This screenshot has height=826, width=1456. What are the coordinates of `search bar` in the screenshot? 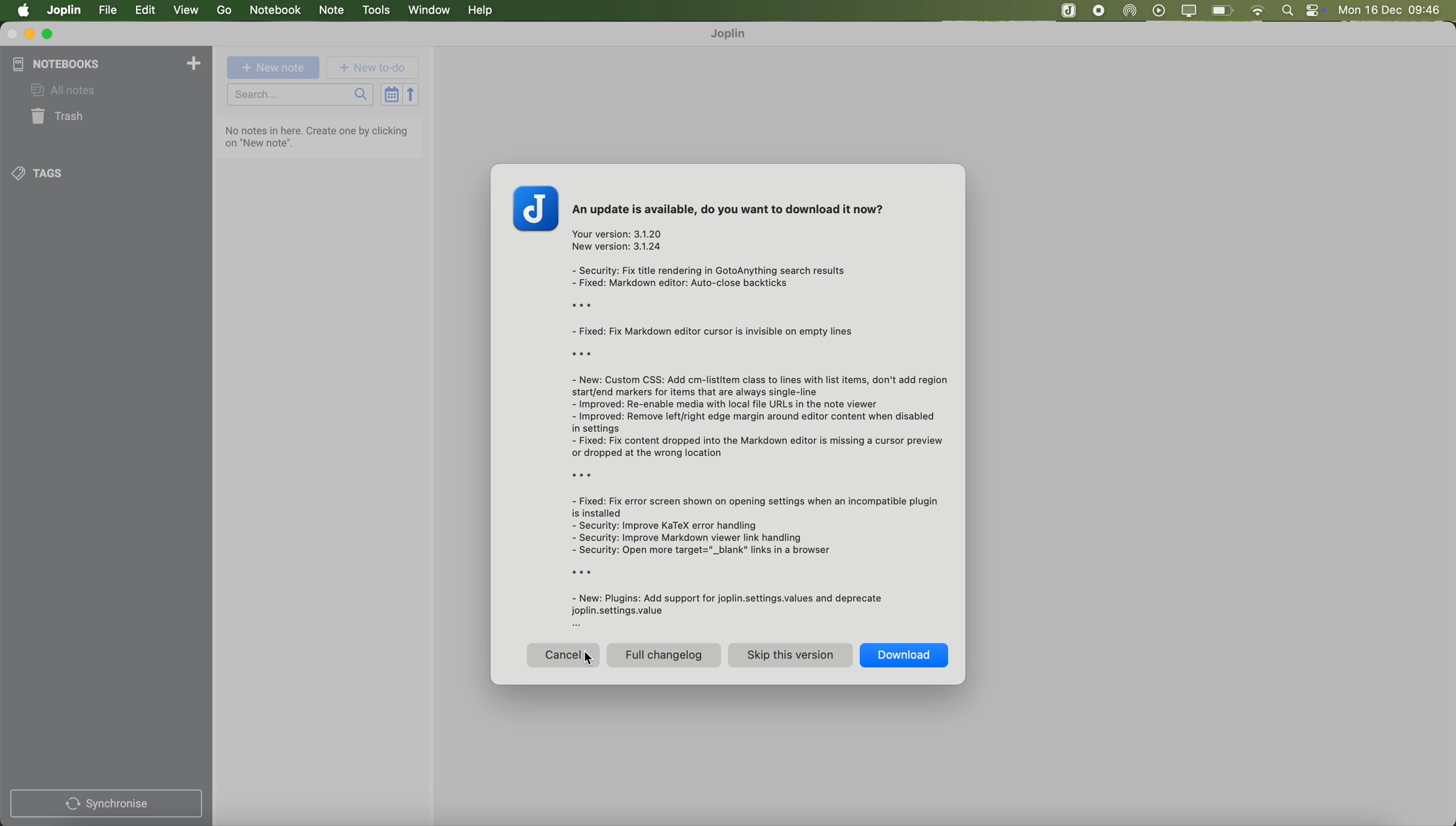 It's located at (301, 95).